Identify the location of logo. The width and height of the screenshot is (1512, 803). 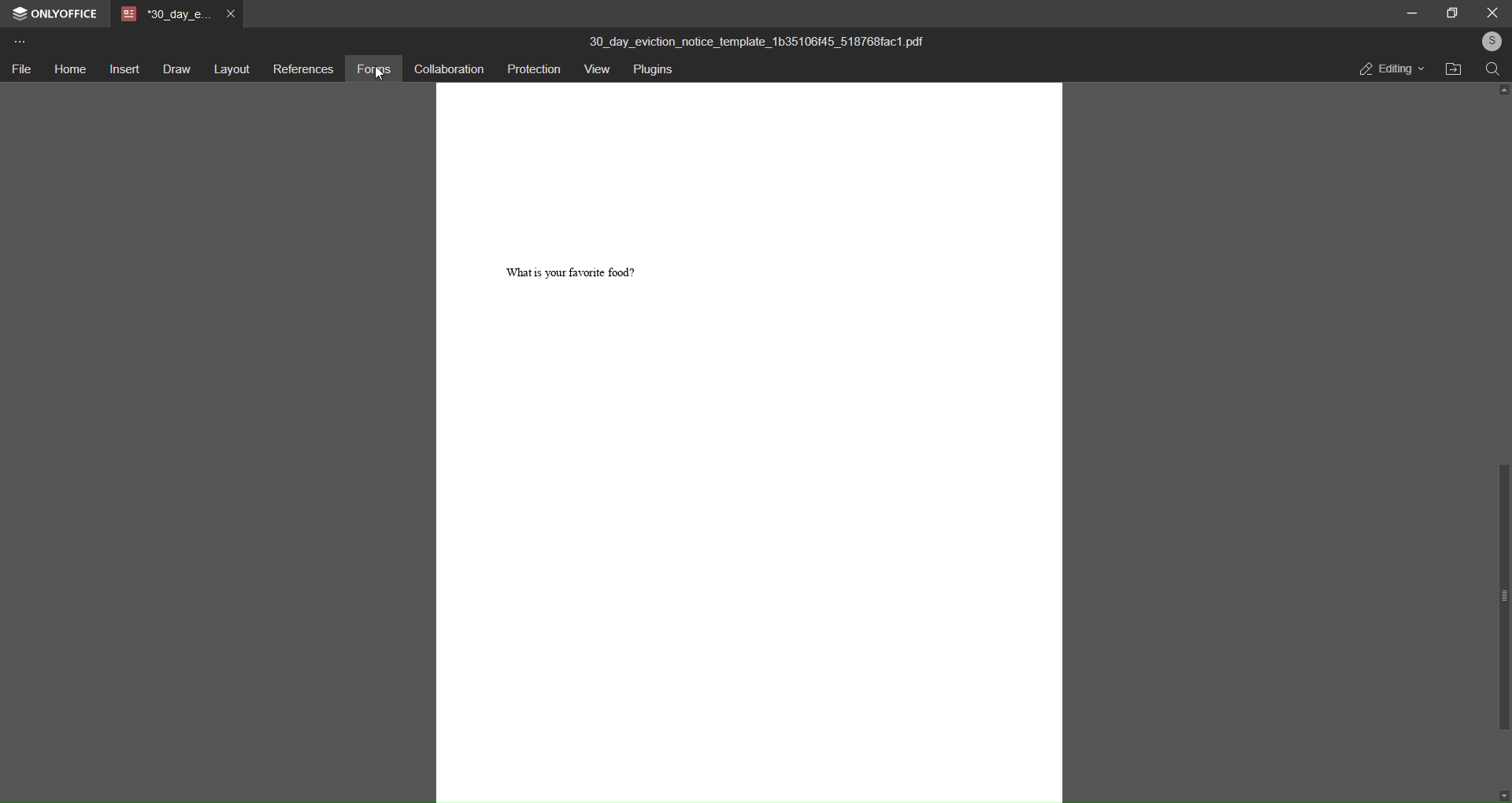
(20, 16).